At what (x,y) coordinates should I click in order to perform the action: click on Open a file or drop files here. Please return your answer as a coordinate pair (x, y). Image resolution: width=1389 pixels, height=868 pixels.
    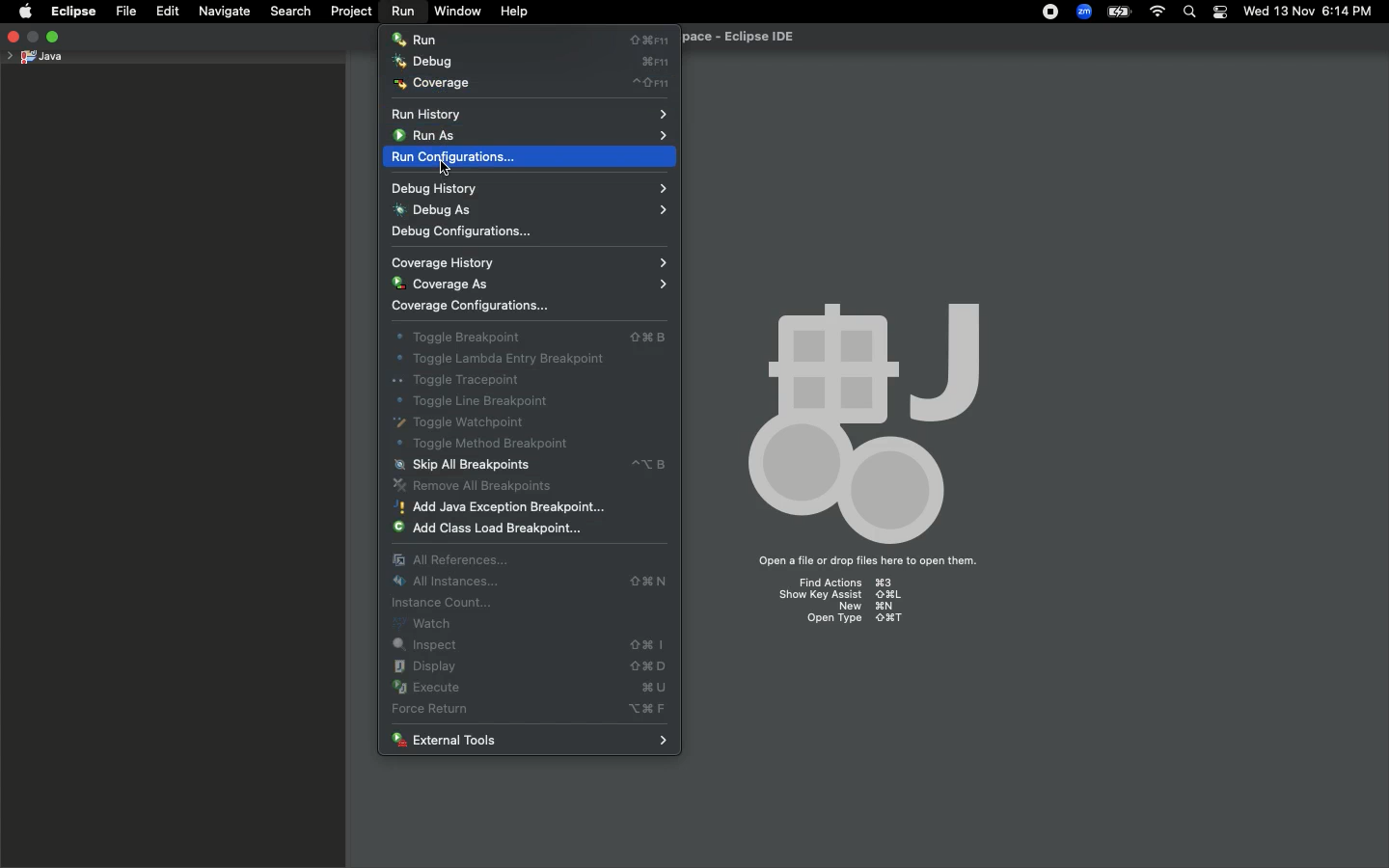
    Looking at the image, I should click on (858, 563).